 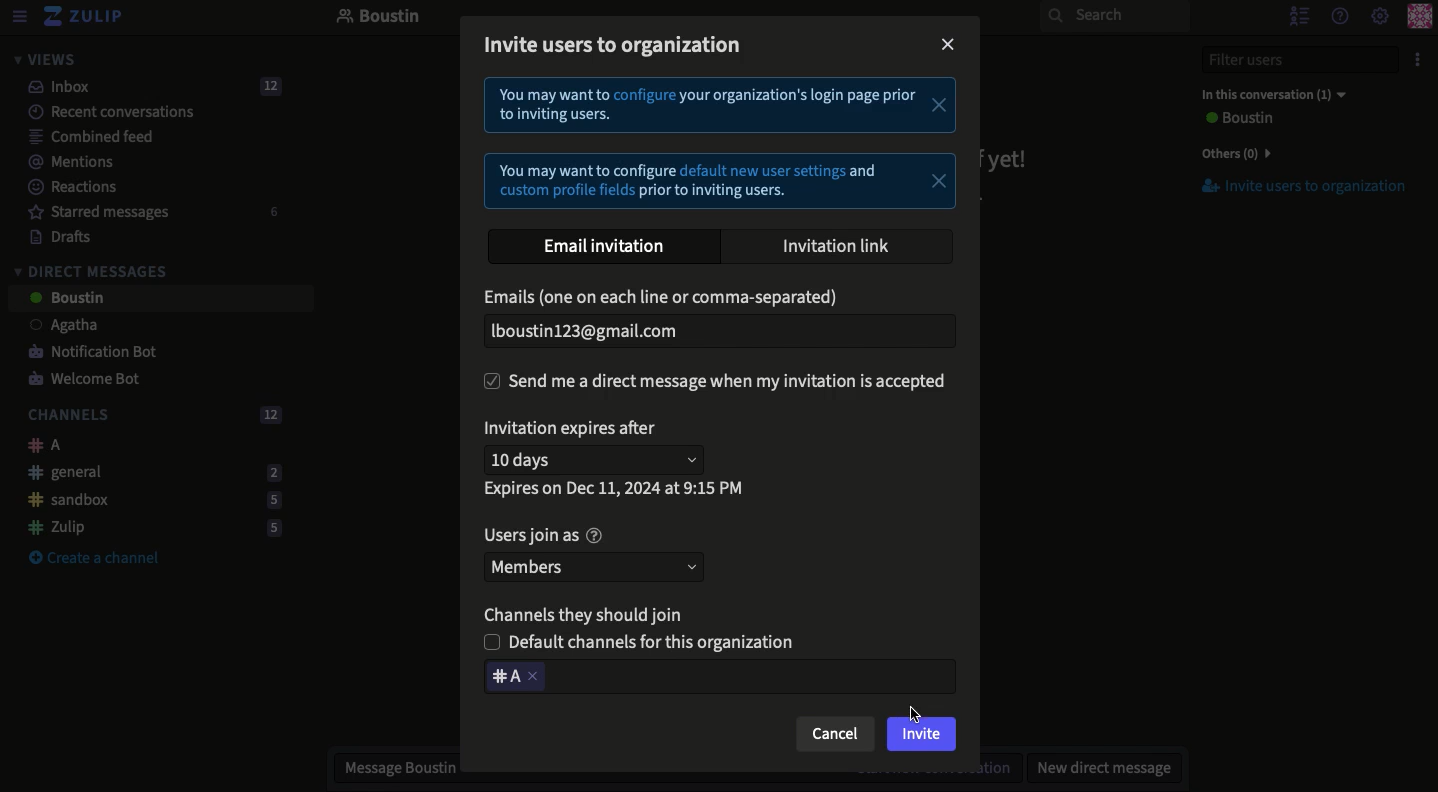 What do you see at coordinates (1419, 18) in the screenshot?
I see `Profile` at bounding box center [1419, 18].